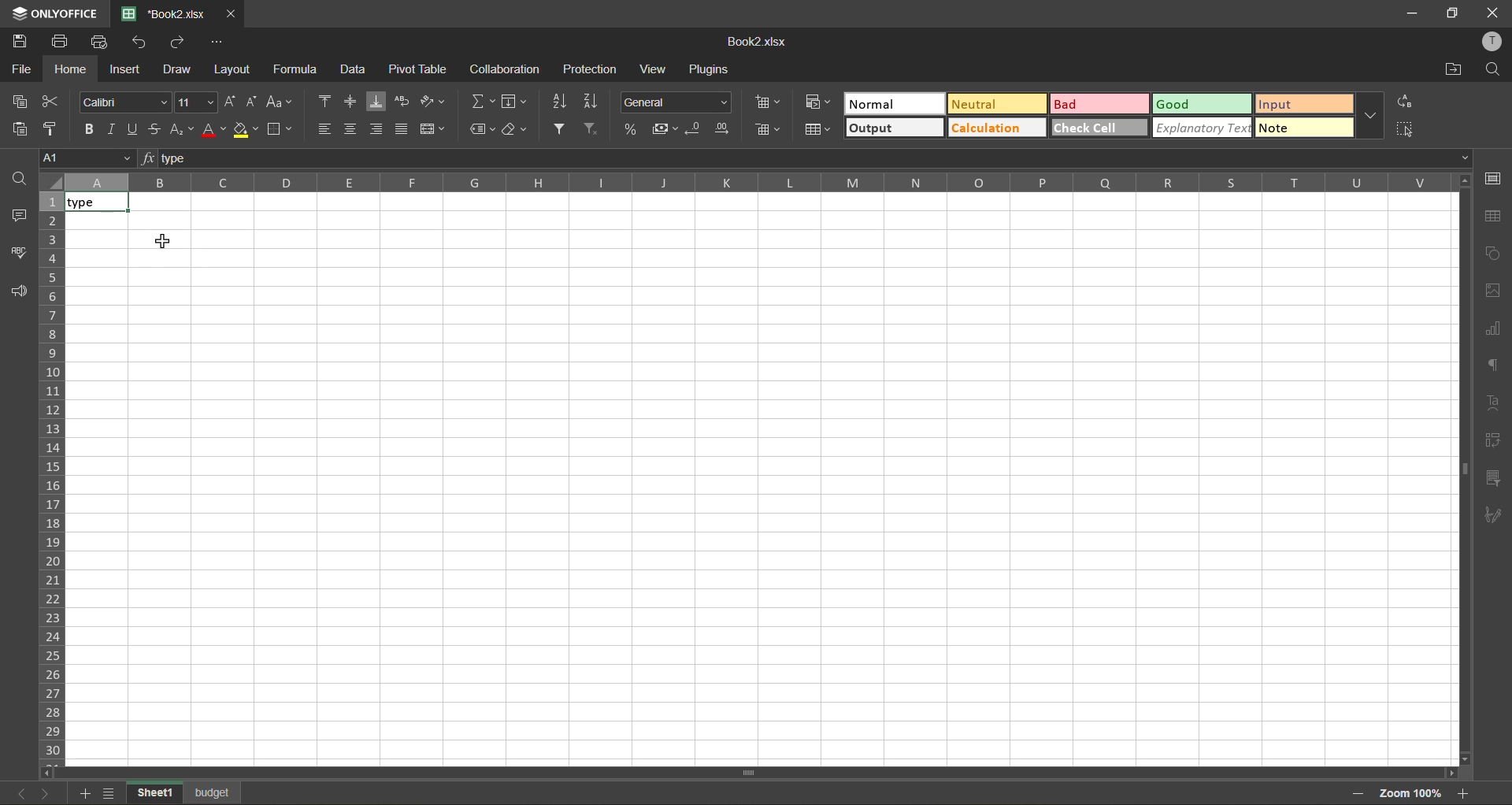 Image resolution: width=1512 pixels, height=805 pixels. Describe the element at coordinates (628, 128) in the screenshot. I see `percent` at that location.